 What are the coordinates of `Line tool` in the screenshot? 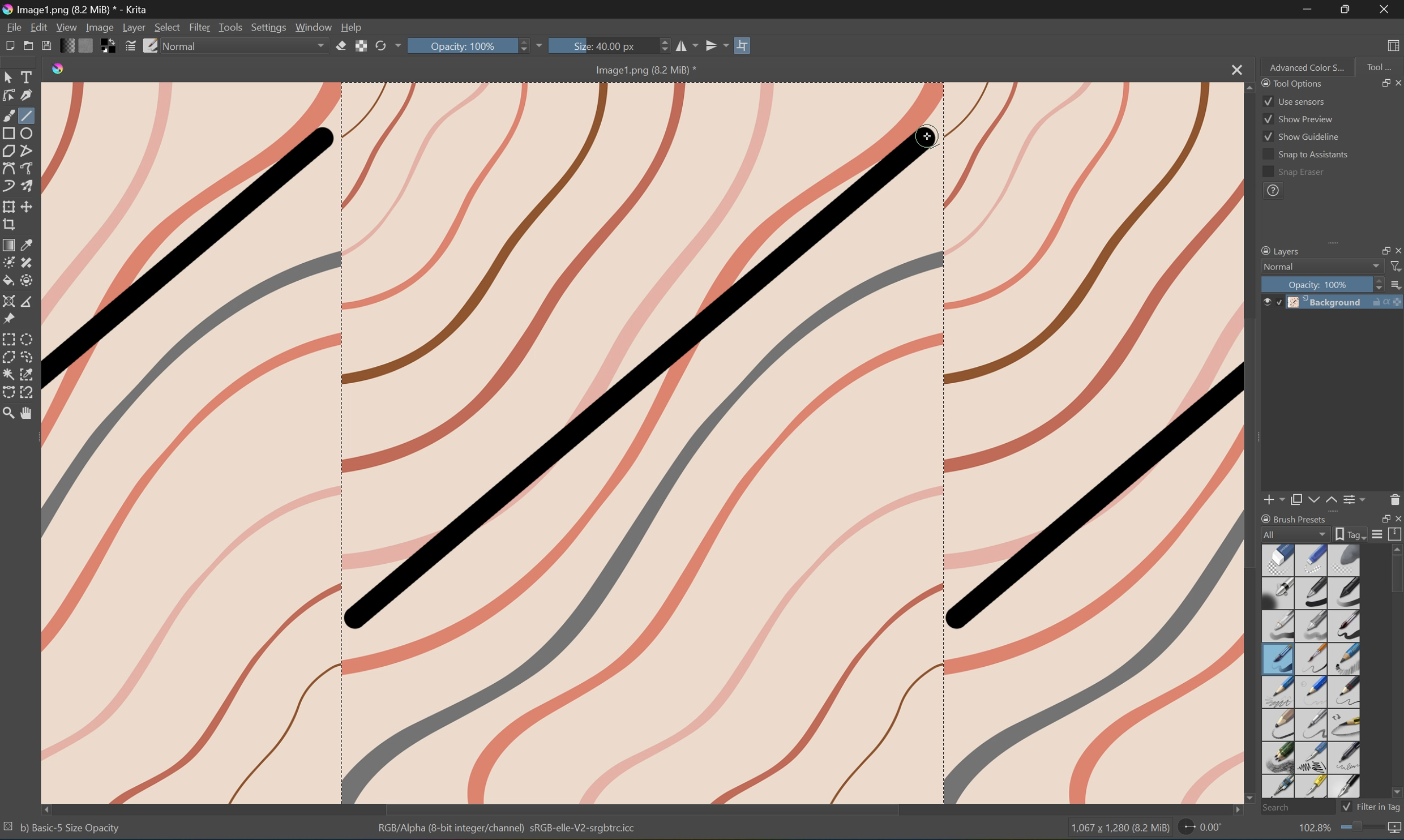 It's located at (28, 115).